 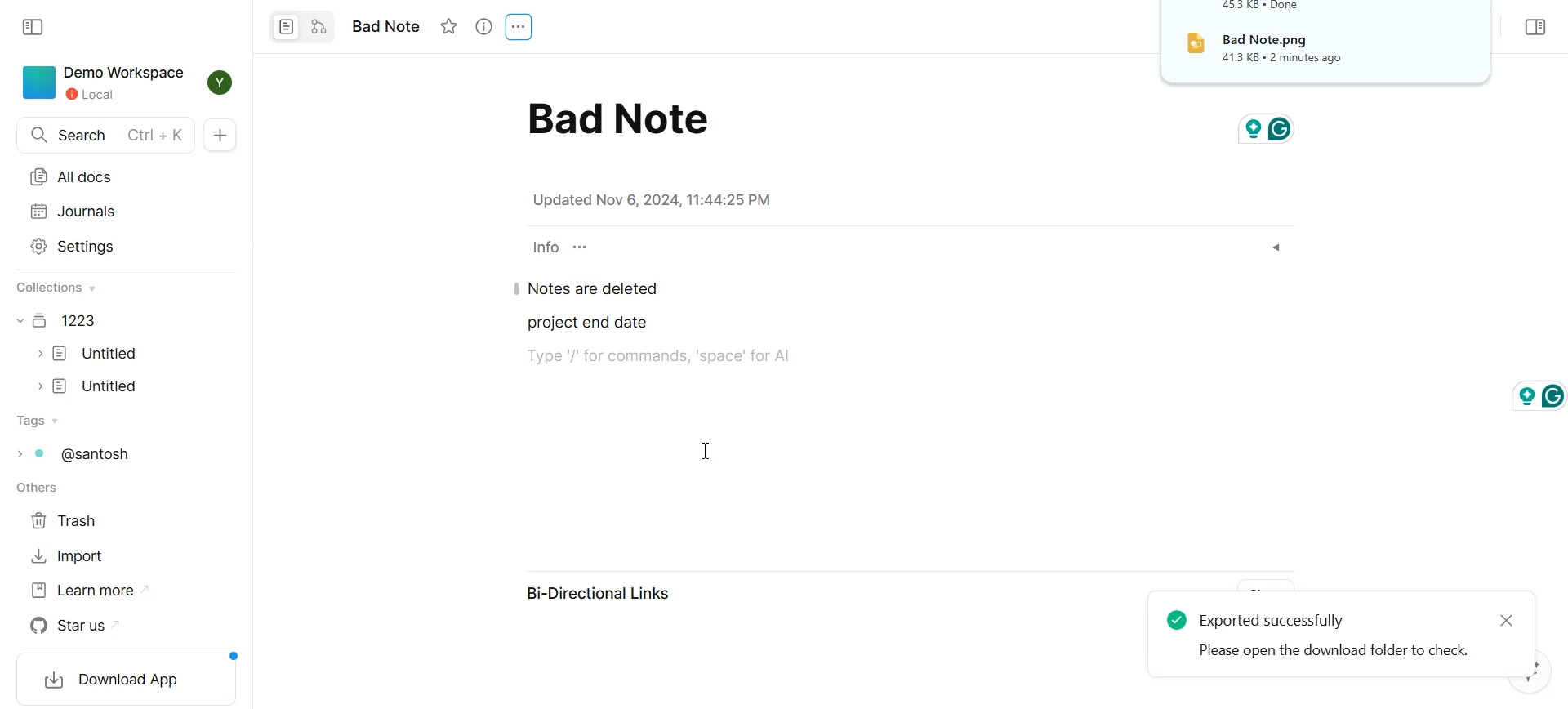 What do you see at coordinates (1276, 247) in the screenshot?
I see `Dropdown box` at bounding box center [1276, 247].